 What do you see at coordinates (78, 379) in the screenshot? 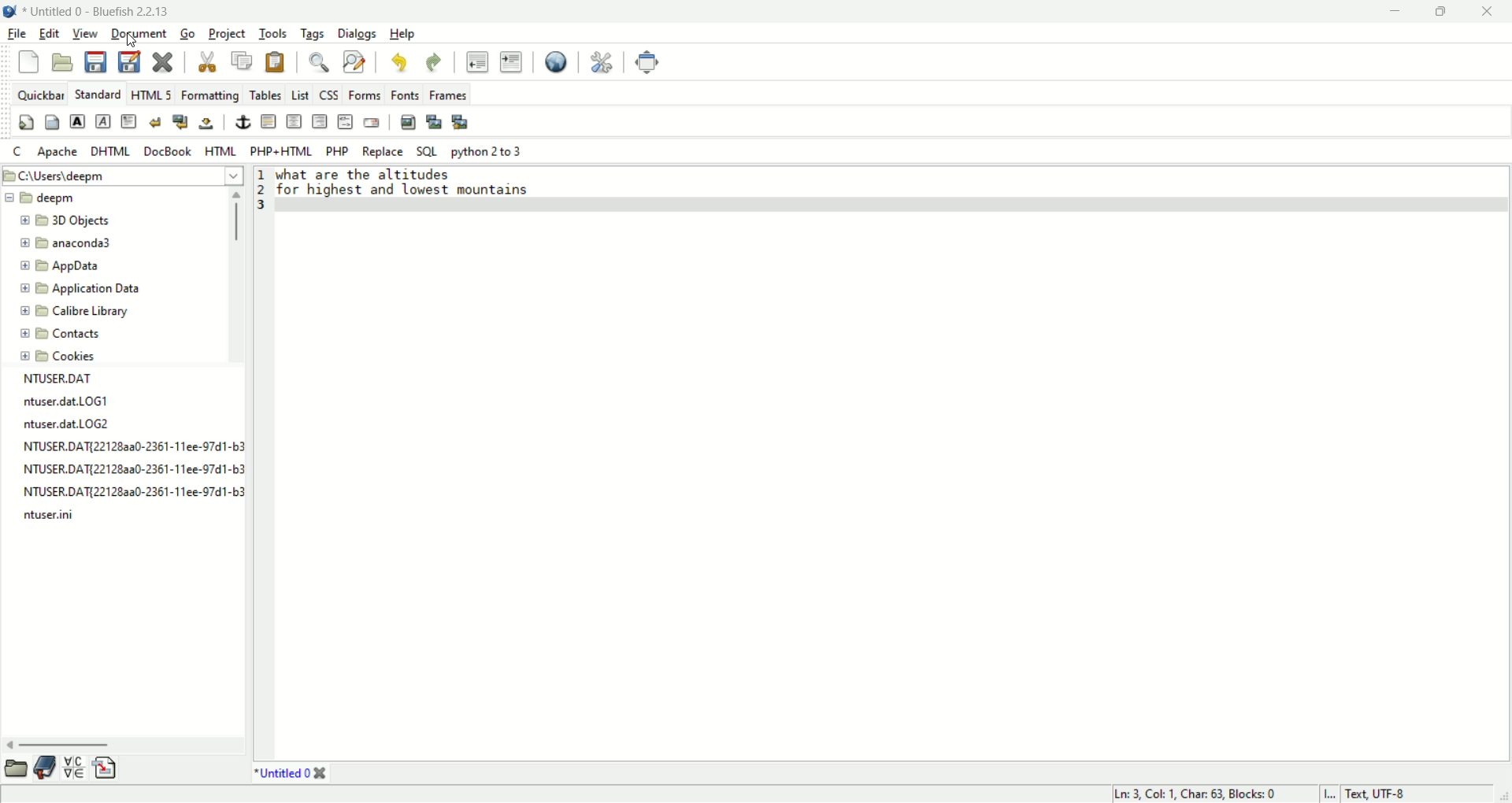
I see `file name` at bounding box center [78, 379].